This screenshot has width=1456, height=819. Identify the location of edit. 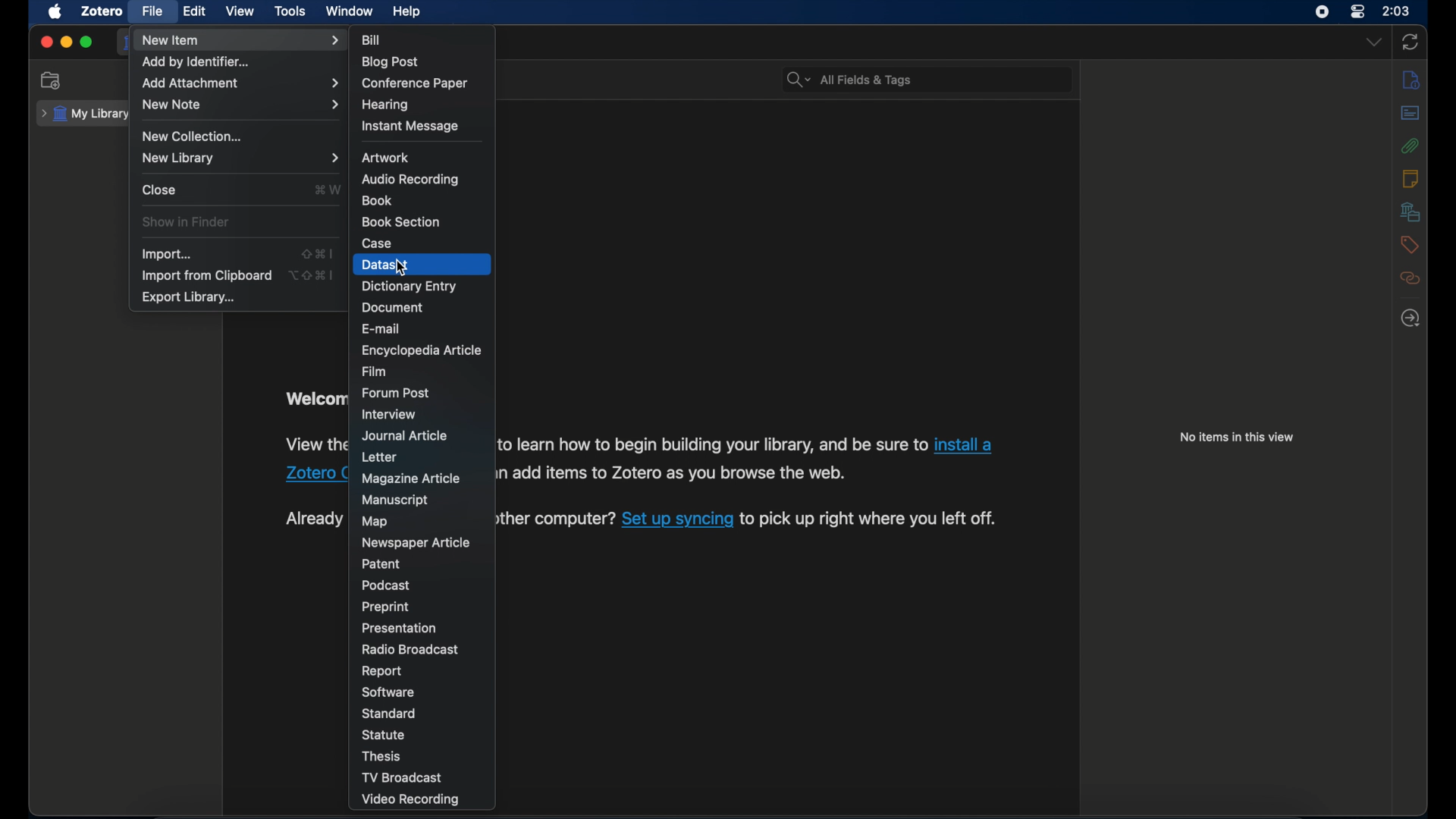
(194, 12).